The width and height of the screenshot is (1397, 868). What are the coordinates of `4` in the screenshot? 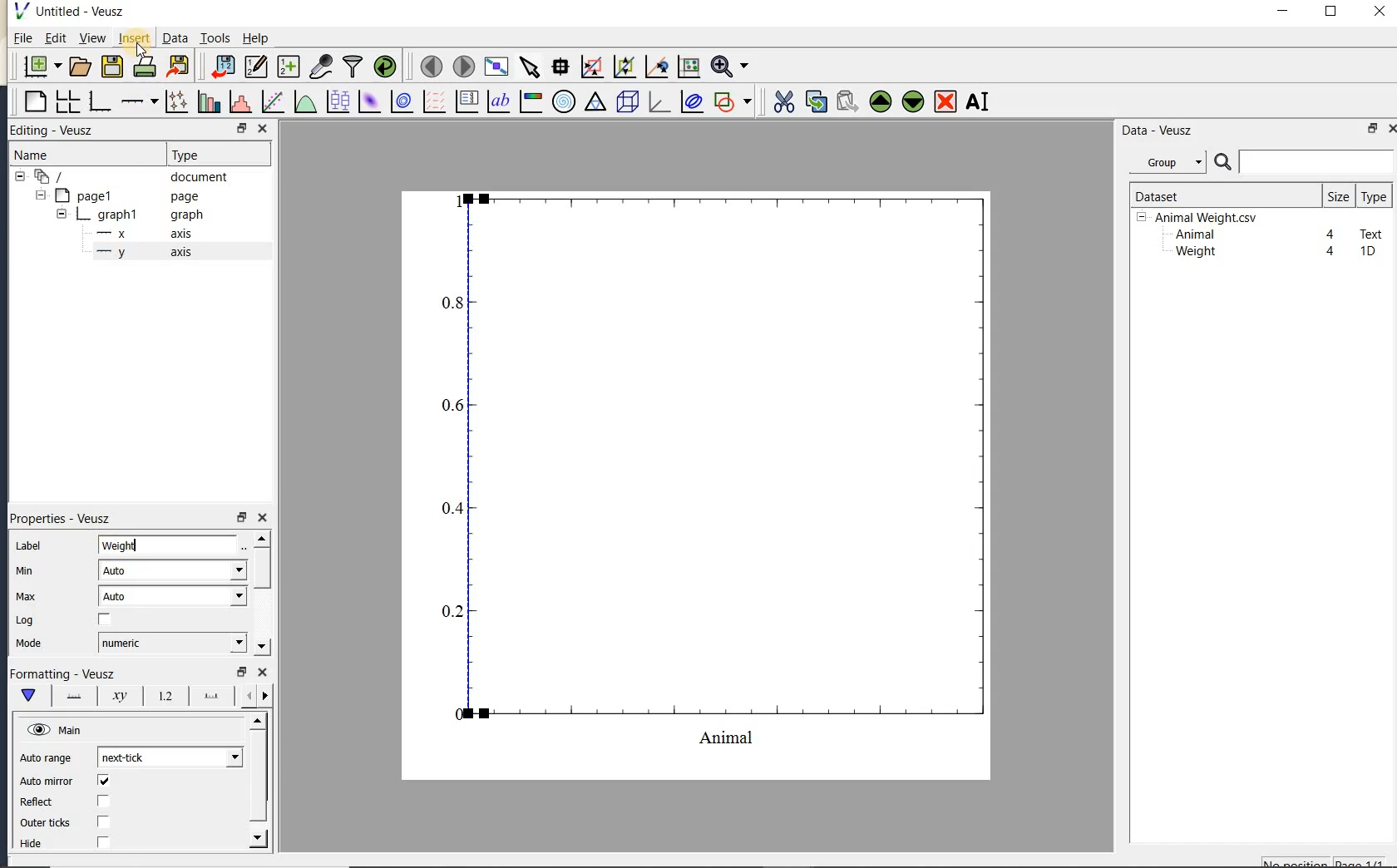 It's located at (1331, 235).